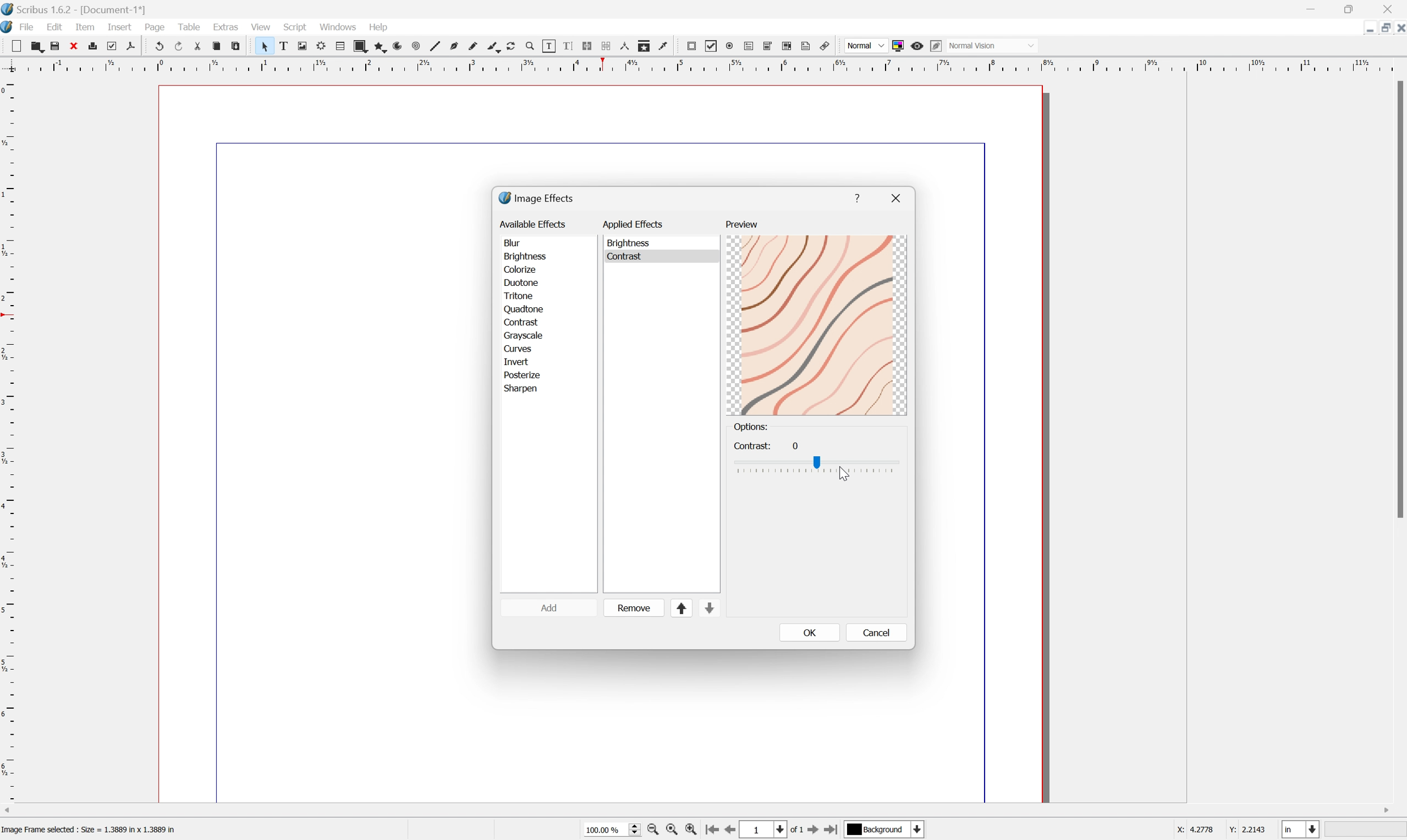  What do you see at coordinates (634, 222) in the screenshot?
I see `applied effects` at bounding box center [634, 222].